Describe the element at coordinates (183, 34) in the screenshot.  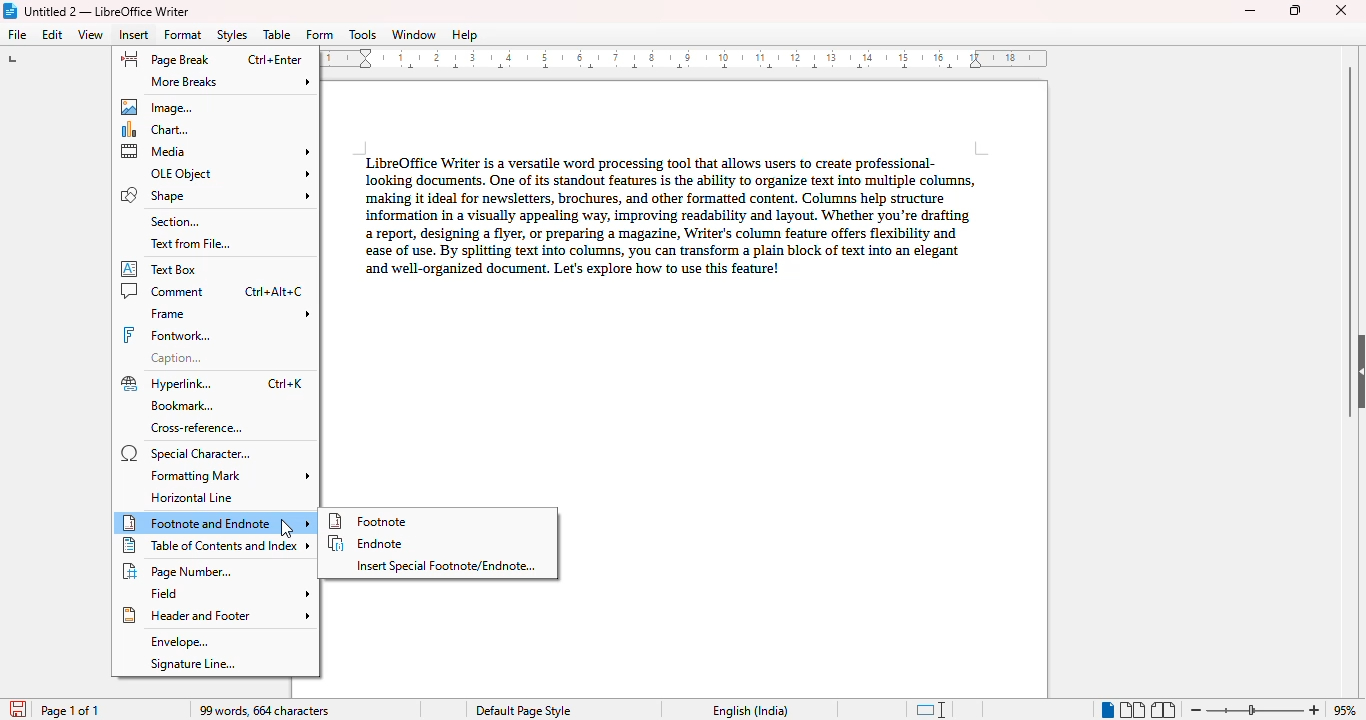
I see `format` at that location.